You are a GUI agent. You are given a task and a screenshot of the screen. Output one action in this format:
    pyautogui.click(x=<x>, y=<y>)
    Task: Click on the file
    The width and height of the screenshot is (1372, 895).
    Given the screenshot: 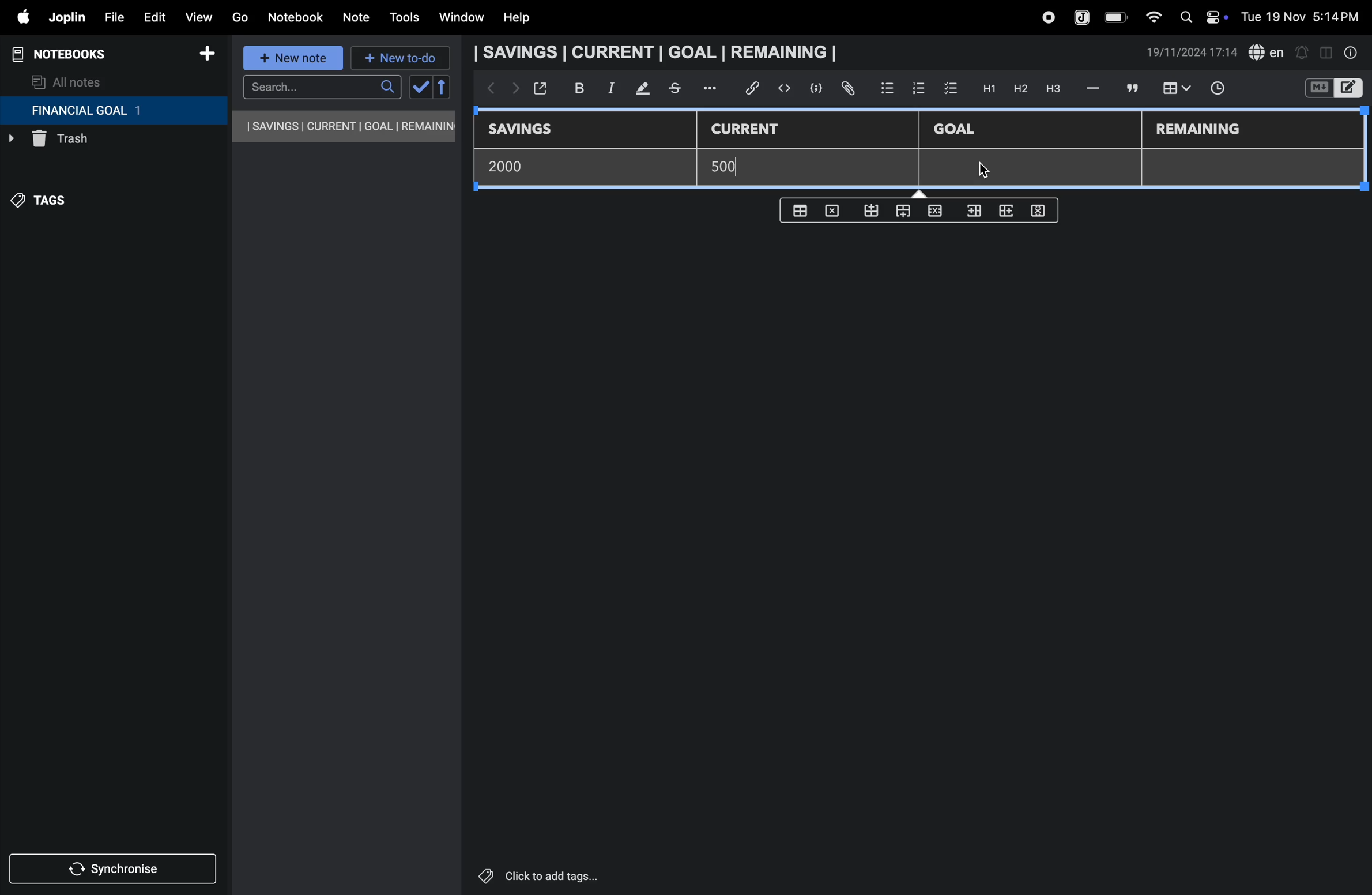 What is the action you would take?
    pyautogui.click(x=110, y=16)
    